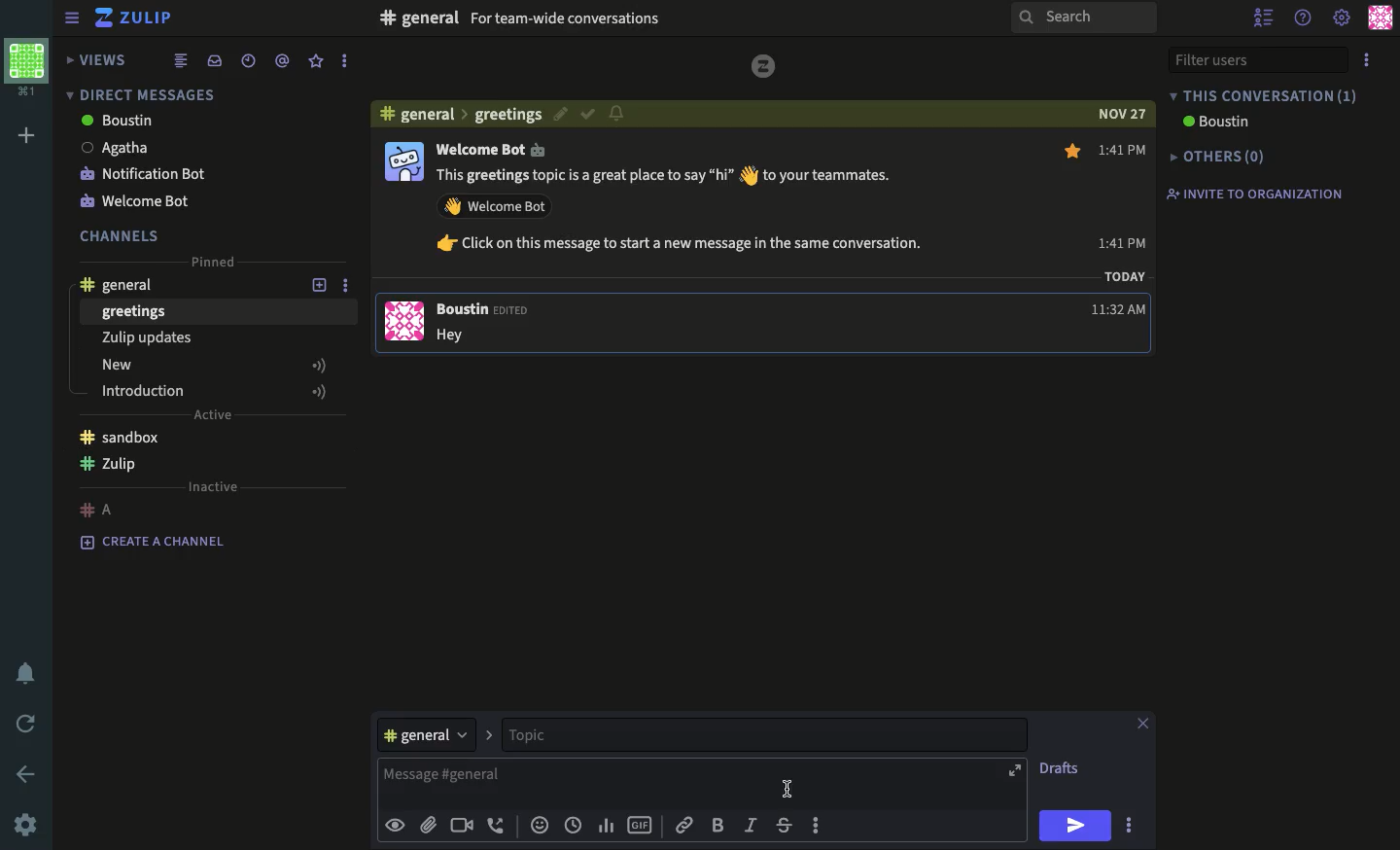 The image size is (1400, 850). I want to click on audio call, so click(497, 825).